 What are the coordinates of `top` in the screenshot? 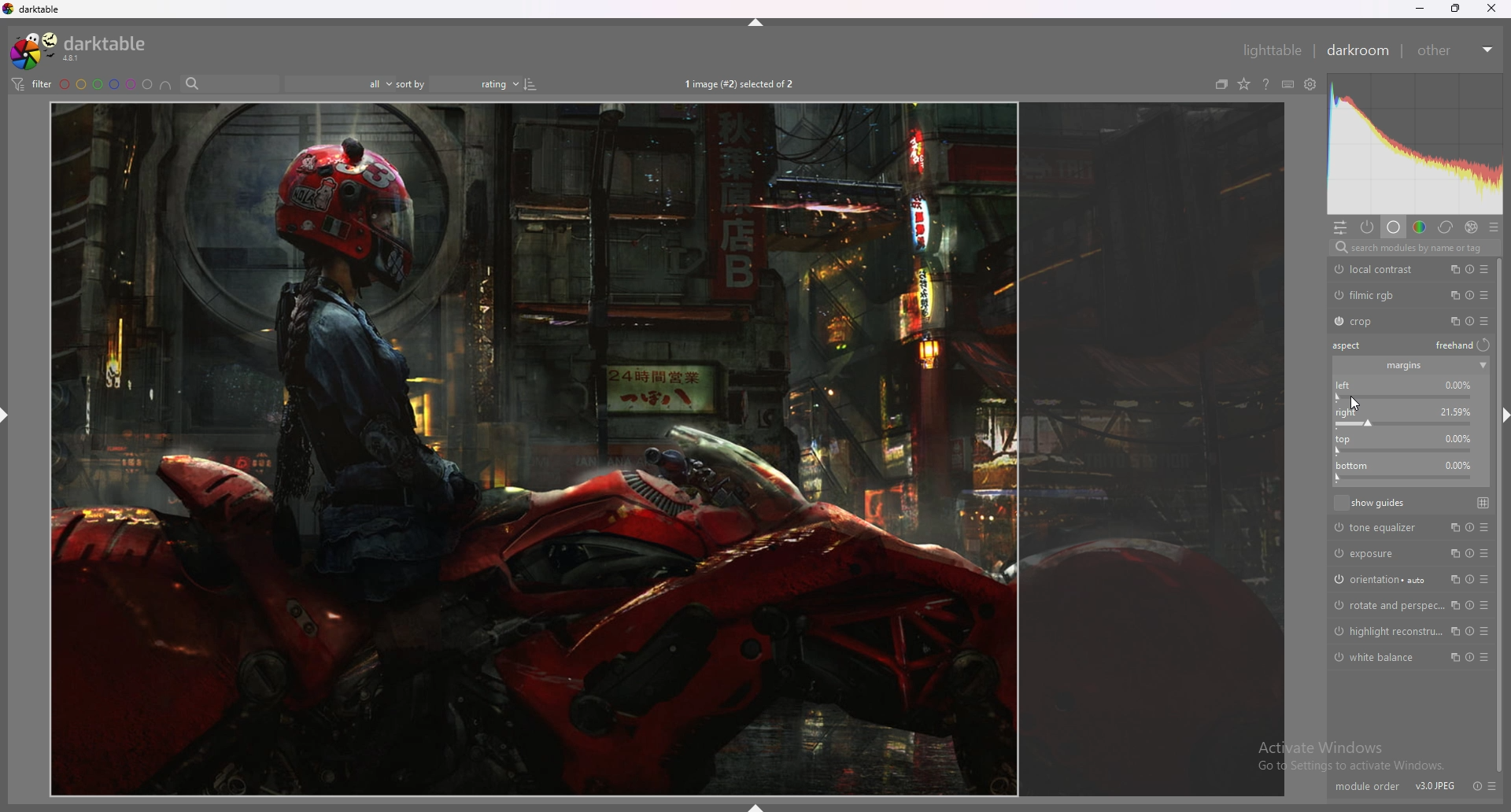 It's located at (1402, 444).